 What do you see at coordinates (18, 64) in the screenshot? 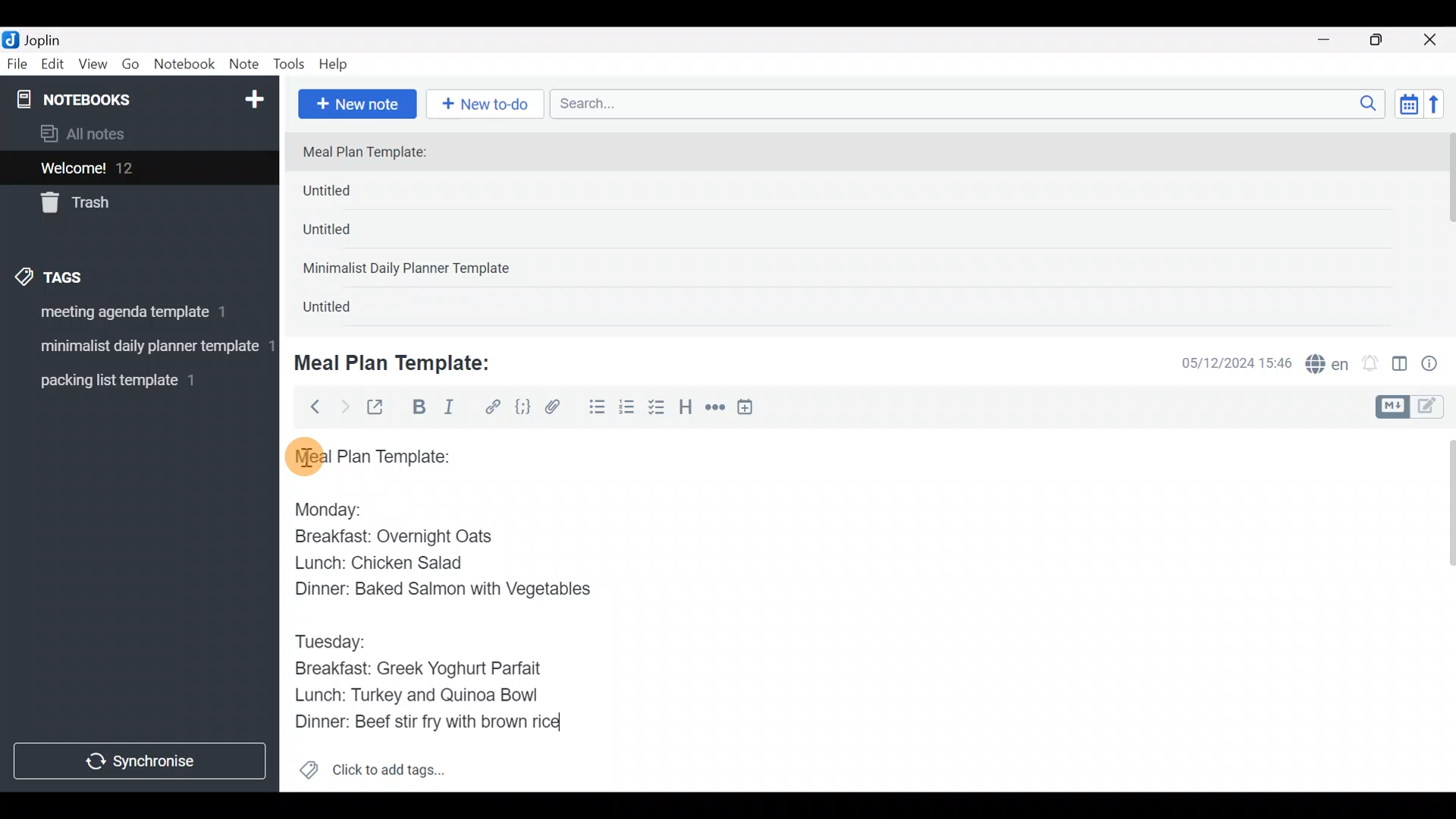
I see `File` at bounding box center [18, 64].